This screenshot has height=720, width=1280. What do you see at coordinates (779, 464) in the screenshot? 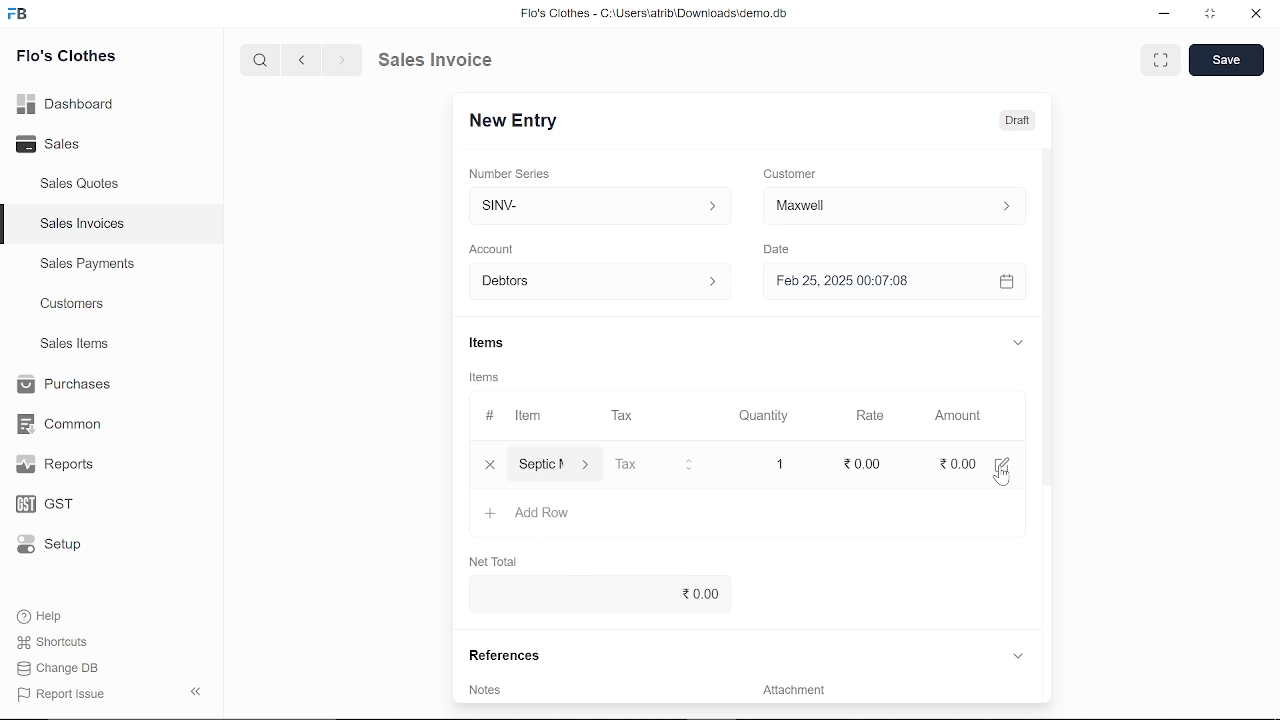
I see `1` at bounding box center [779, 464].